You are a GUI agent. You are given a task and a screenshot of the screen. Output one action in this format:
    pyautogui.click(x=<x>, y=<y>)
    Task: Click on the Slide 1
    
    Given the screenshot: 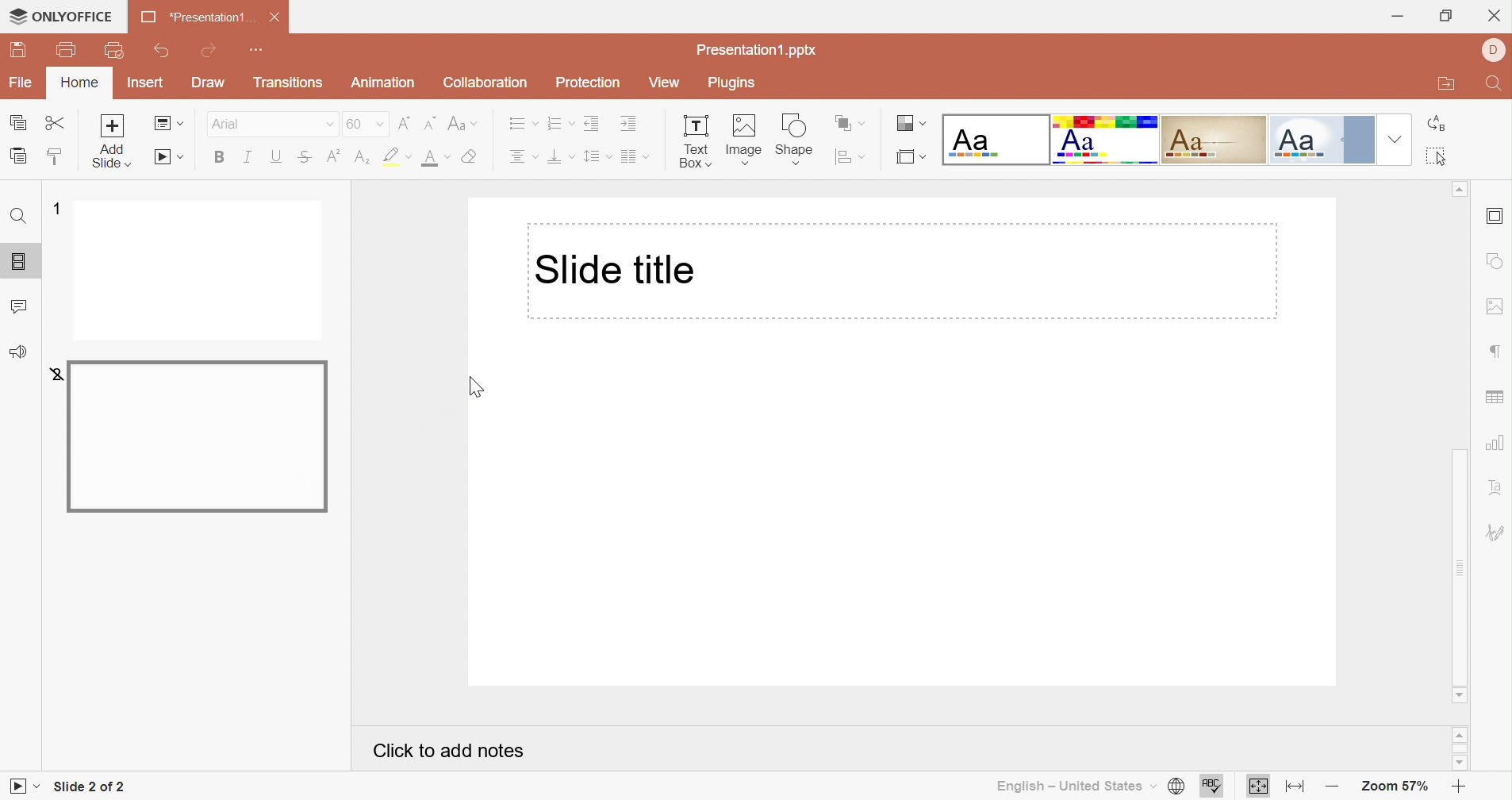 What is the action you would take?
    pyautogui.click(x=199, y=271)
    